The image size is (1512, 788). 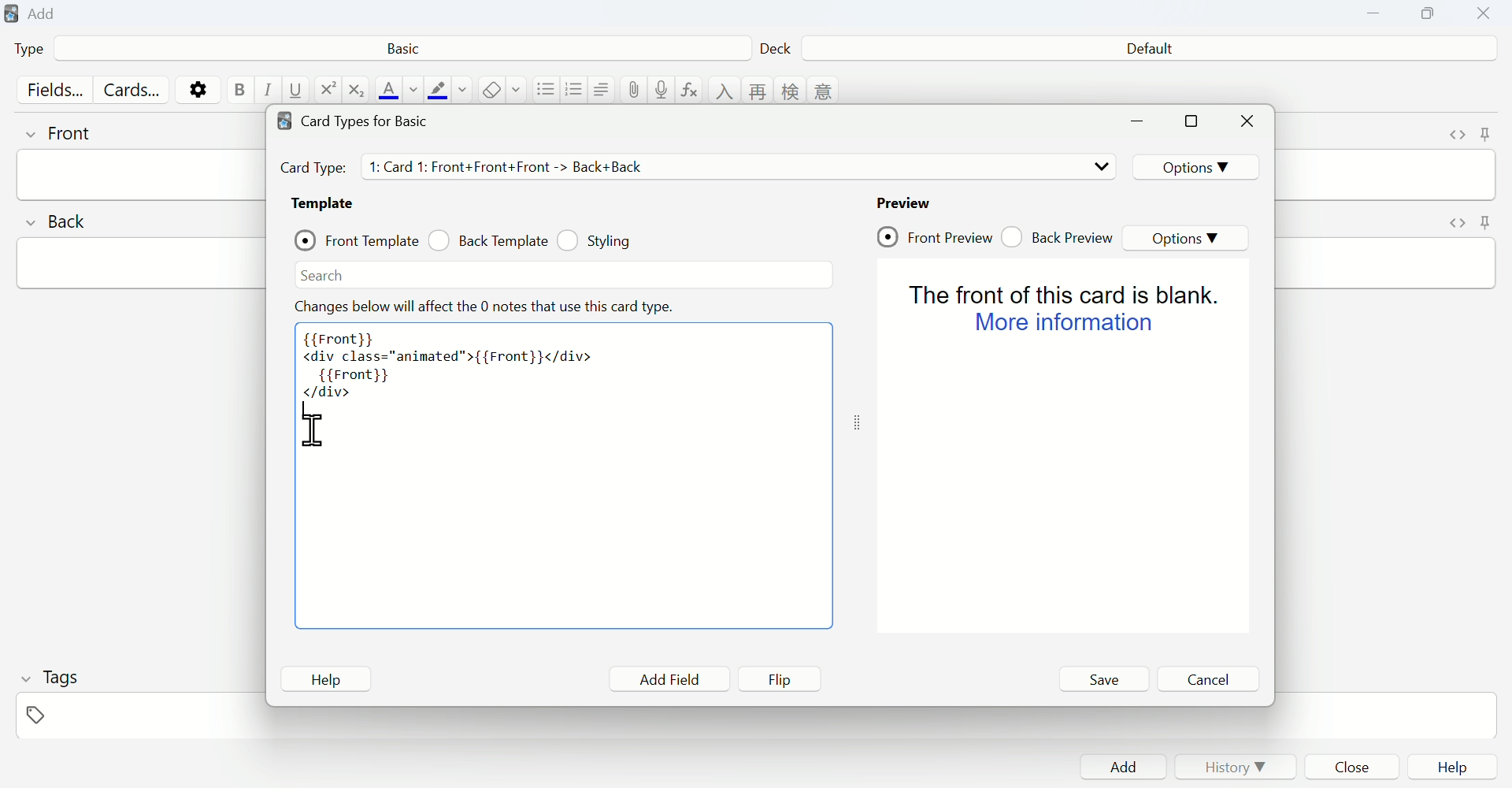 What do you see at coordinates (141, 262) in the screenshot?
I see `back input field` at bounding box center [141, 262].